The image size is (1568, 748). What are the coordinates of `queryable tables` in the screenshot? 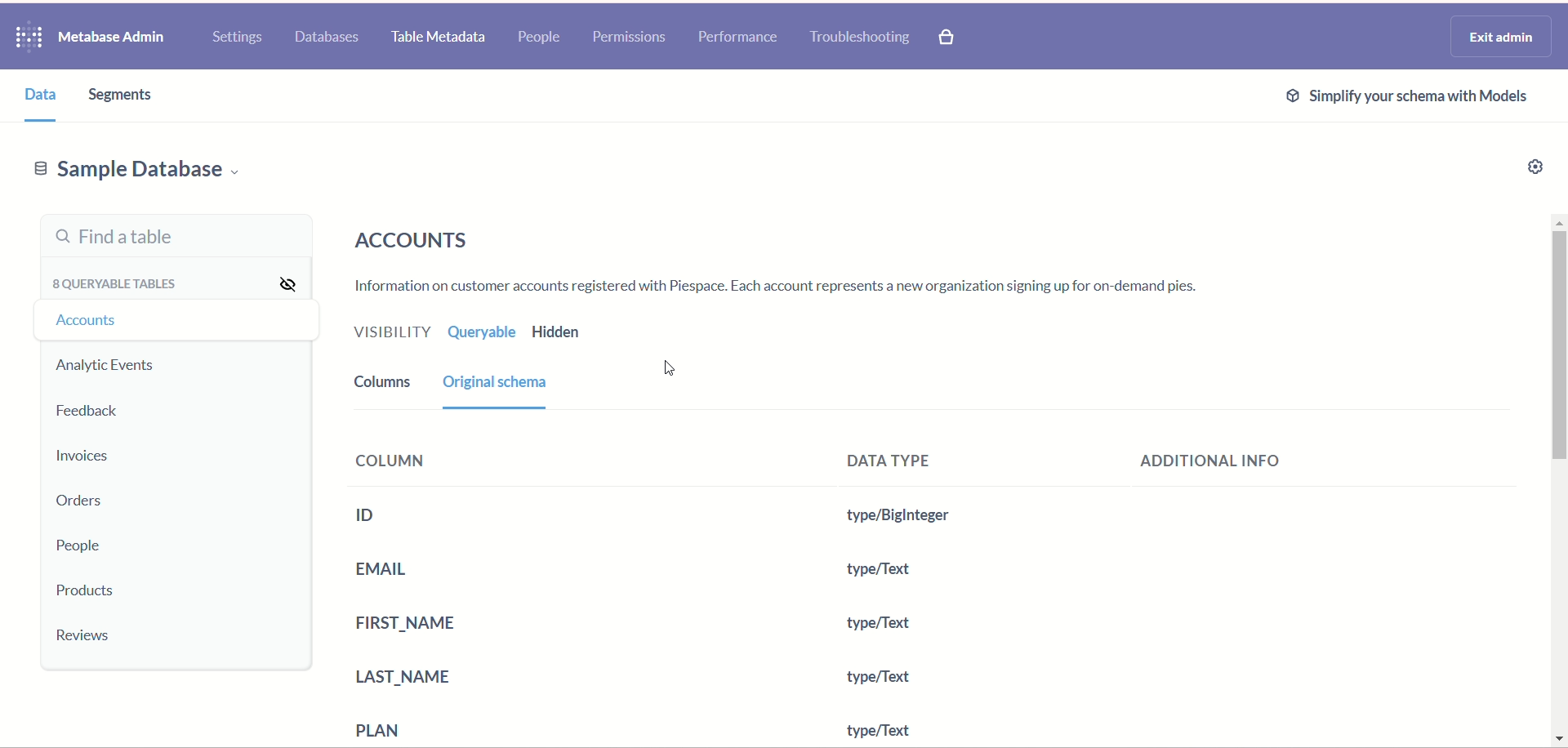 It's located at (114, 286).